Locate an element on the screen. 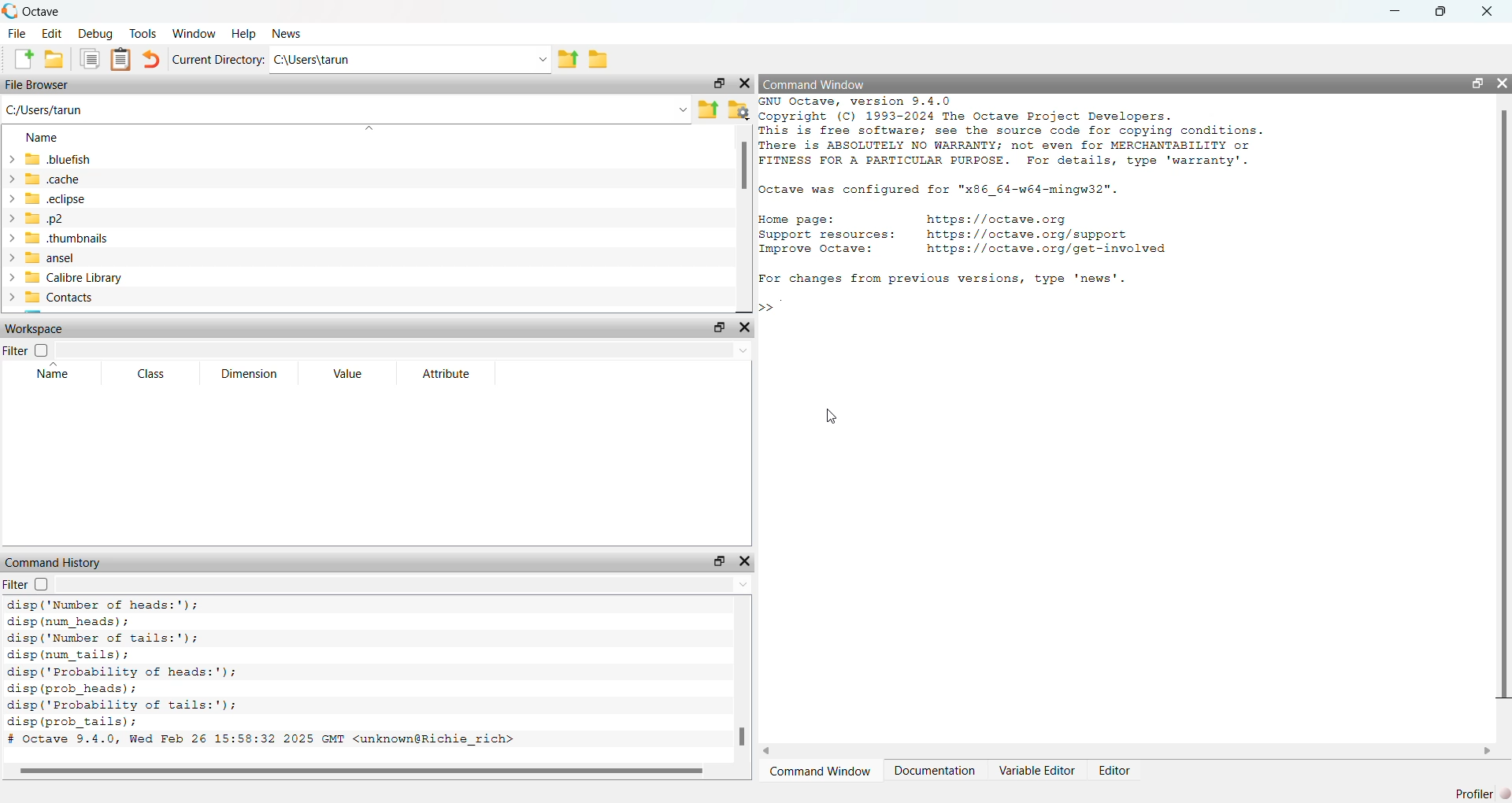 This screenshot has width=1512, height=803. Variable Editor is located at coordinates (1039, 771).